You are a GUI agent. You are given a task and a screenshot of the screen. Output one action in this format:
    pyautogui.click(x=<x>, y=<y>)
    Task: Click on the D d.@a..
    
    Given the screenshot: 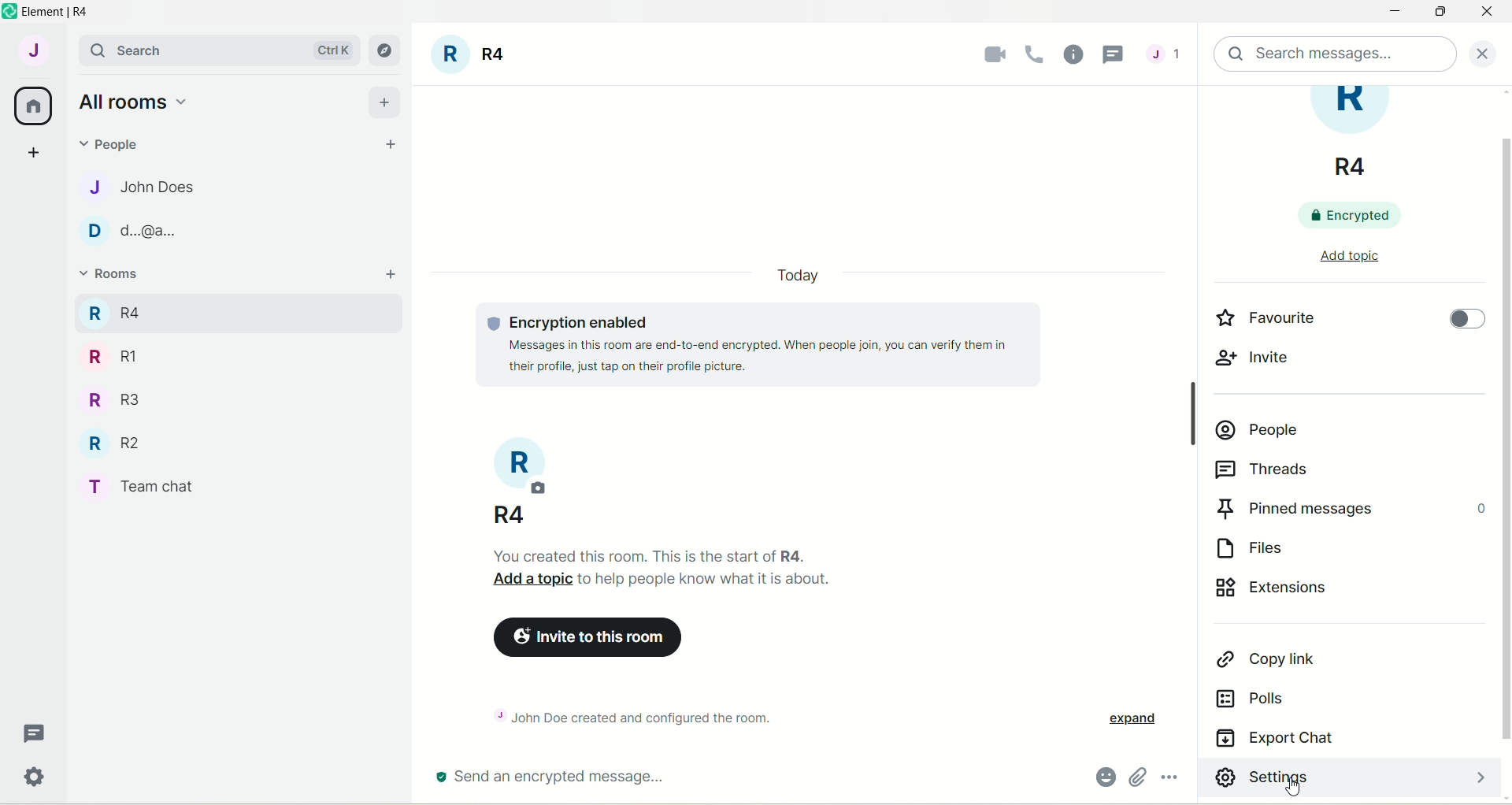 What is the action you would take?
    pyautogui.click(x=127, y=231)
    